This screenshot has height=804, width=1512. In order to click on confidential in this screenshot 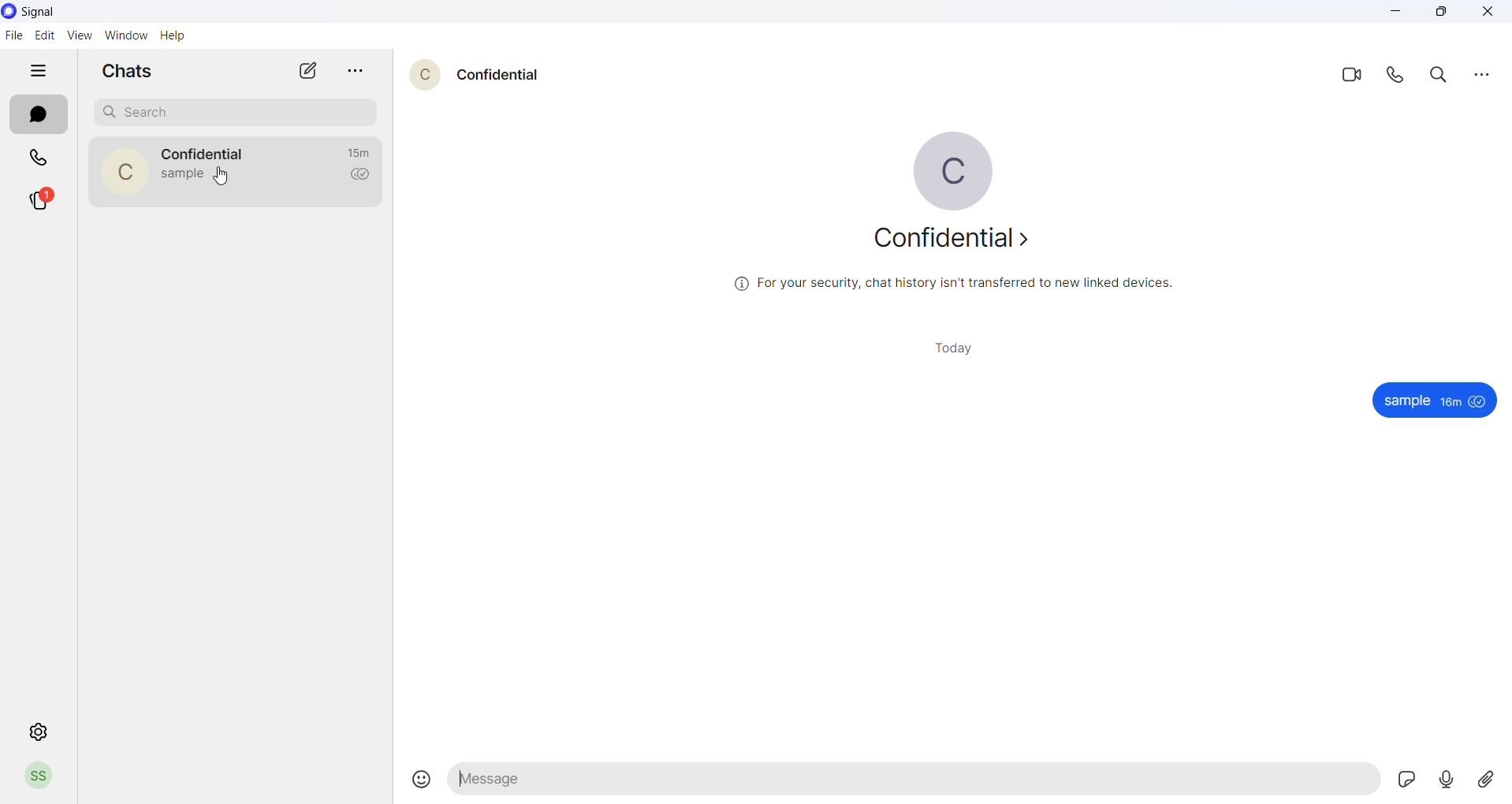, I will do `click(203, 154)`.